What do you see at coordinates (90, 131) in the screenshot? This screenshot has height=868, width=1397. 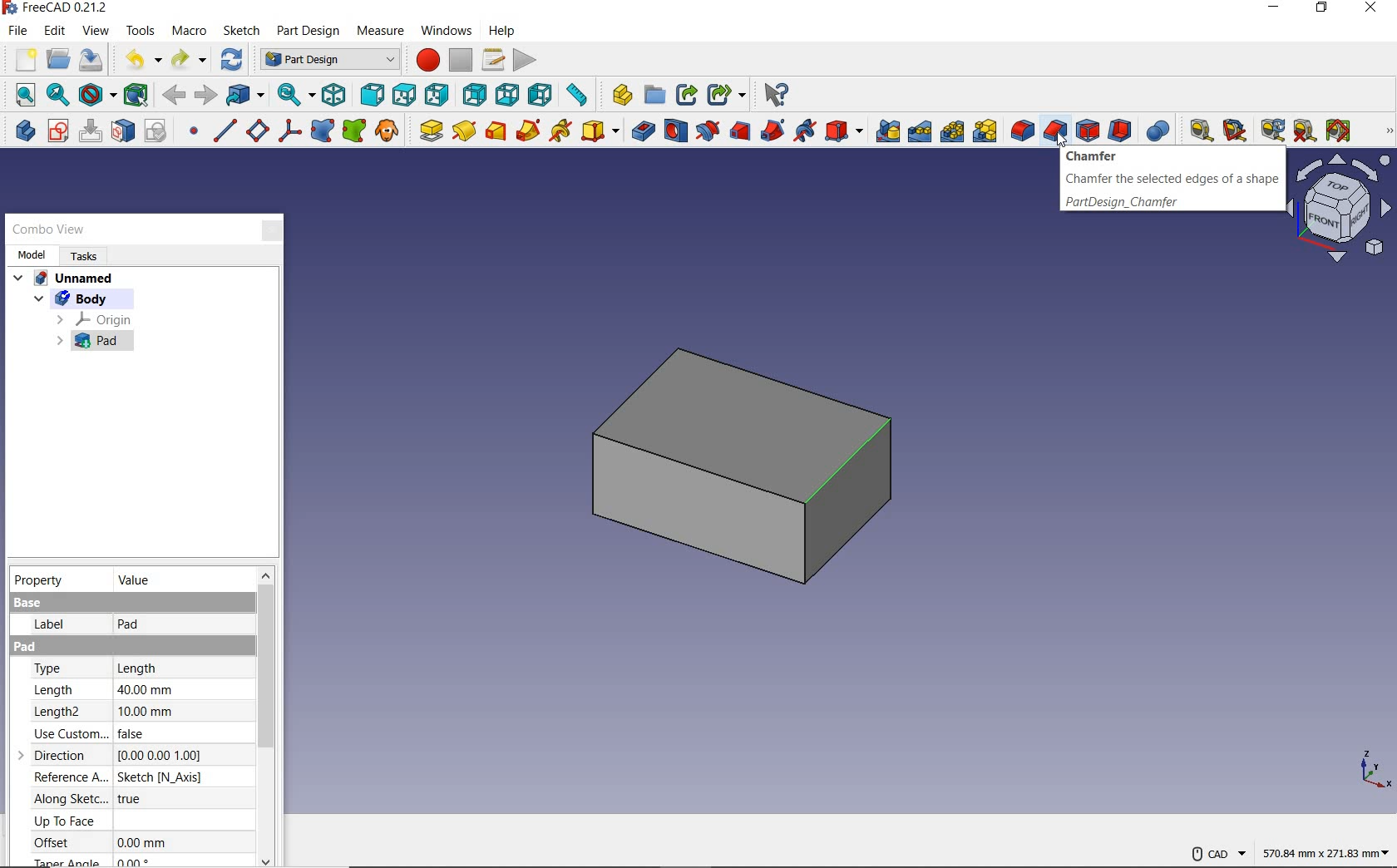 I see `edit sketch` at bounding box center [90, 131].